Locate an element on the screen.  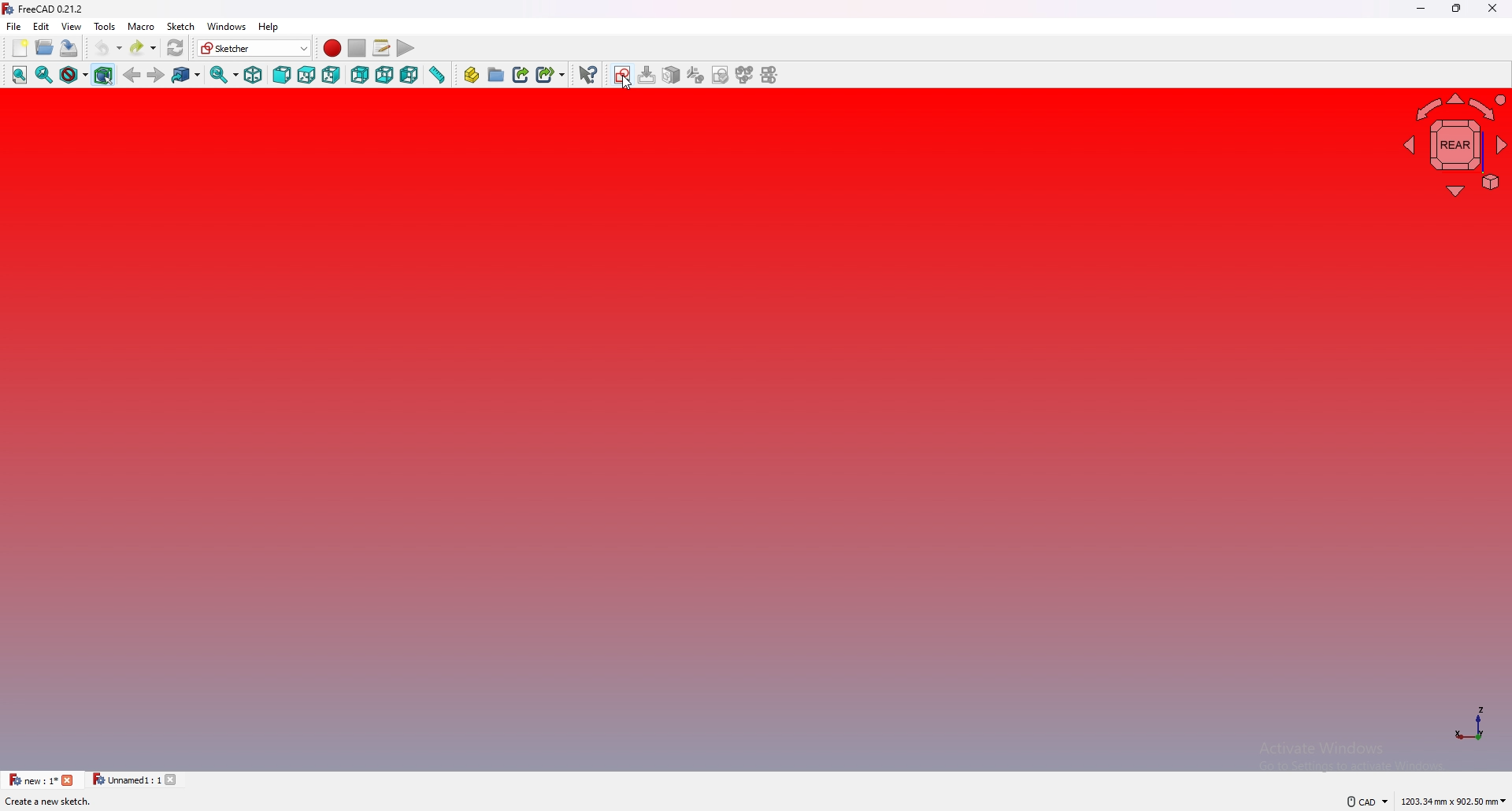
Unnamed1 : 1 is located at coordinates (125, 780).